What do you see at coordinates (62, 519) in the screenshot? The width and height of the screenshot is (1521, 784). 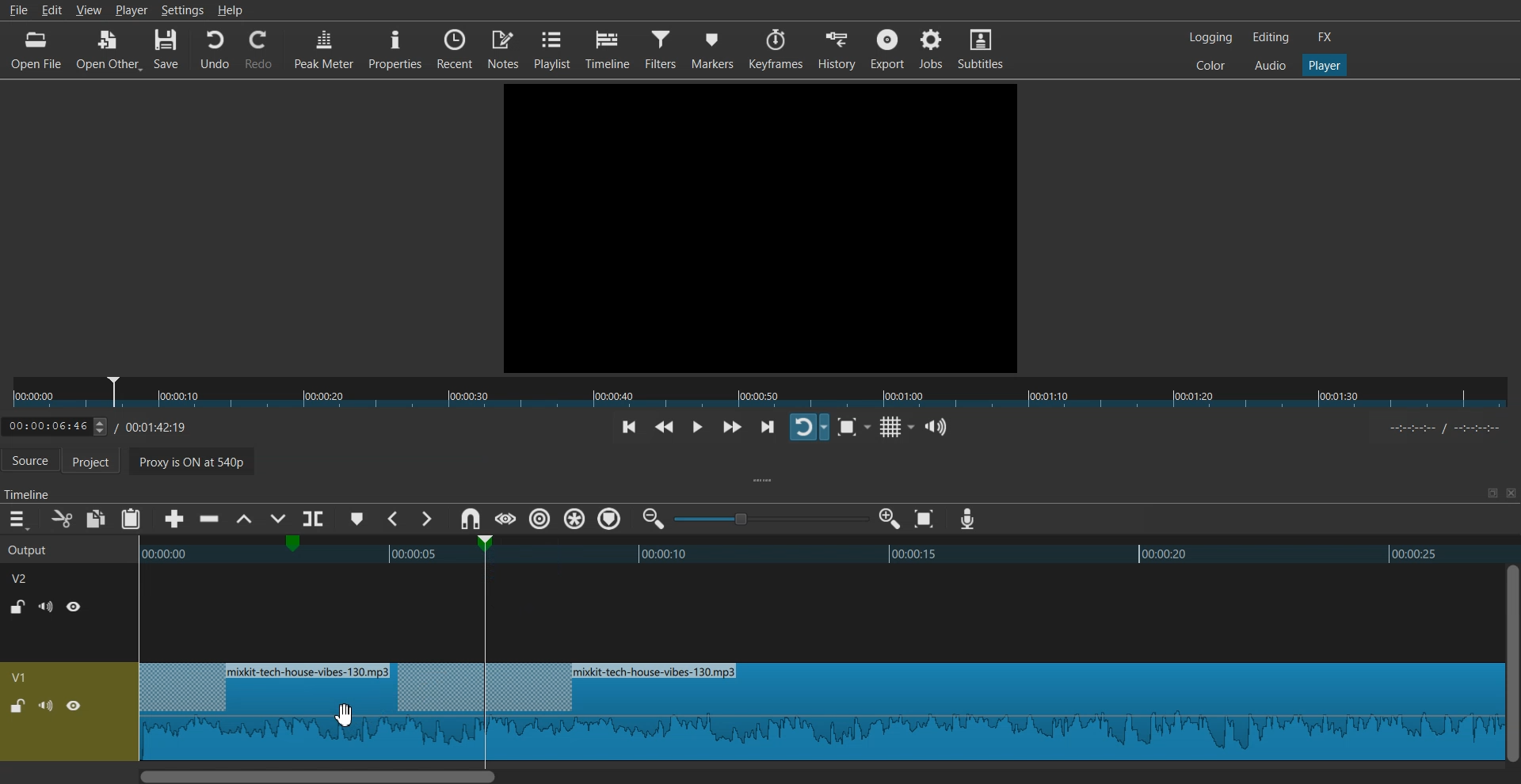 I see `Cut` at bounding box center [62, 519].